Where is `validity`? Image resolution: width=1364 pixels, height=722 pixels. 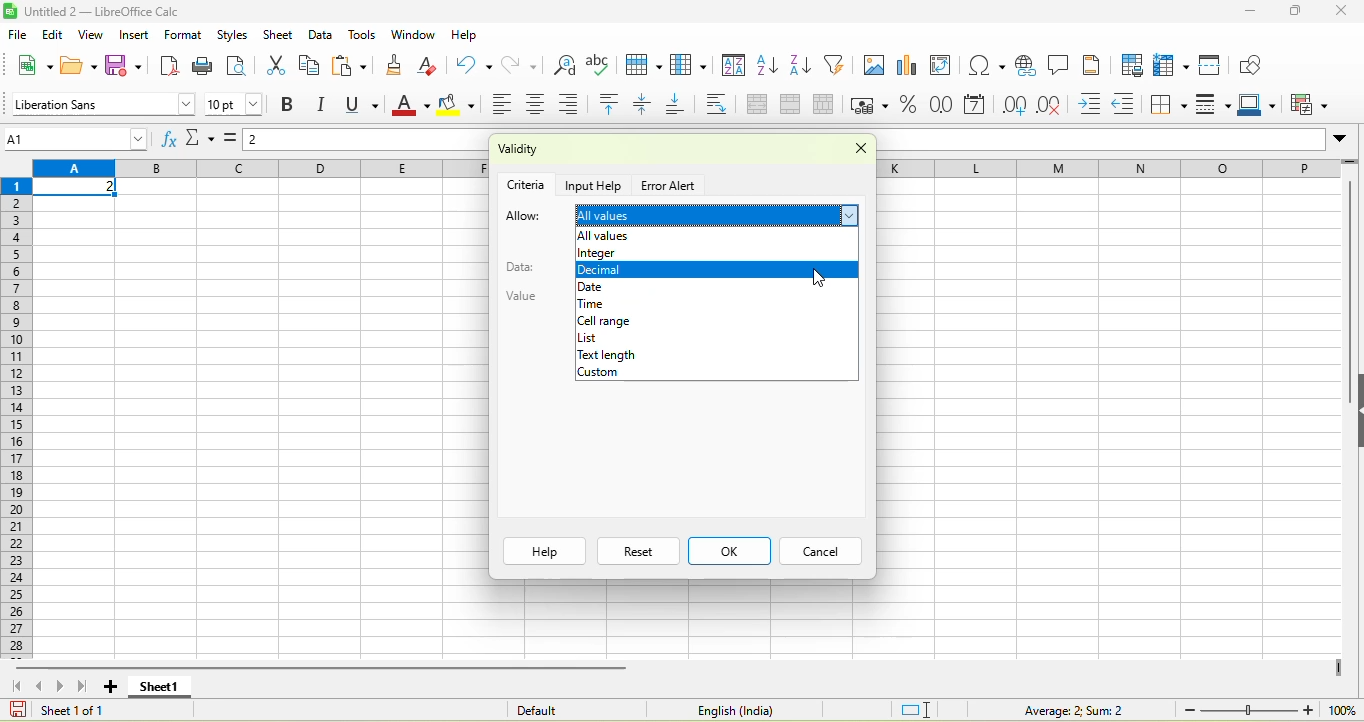 validity is located at coordinates (572, 151).